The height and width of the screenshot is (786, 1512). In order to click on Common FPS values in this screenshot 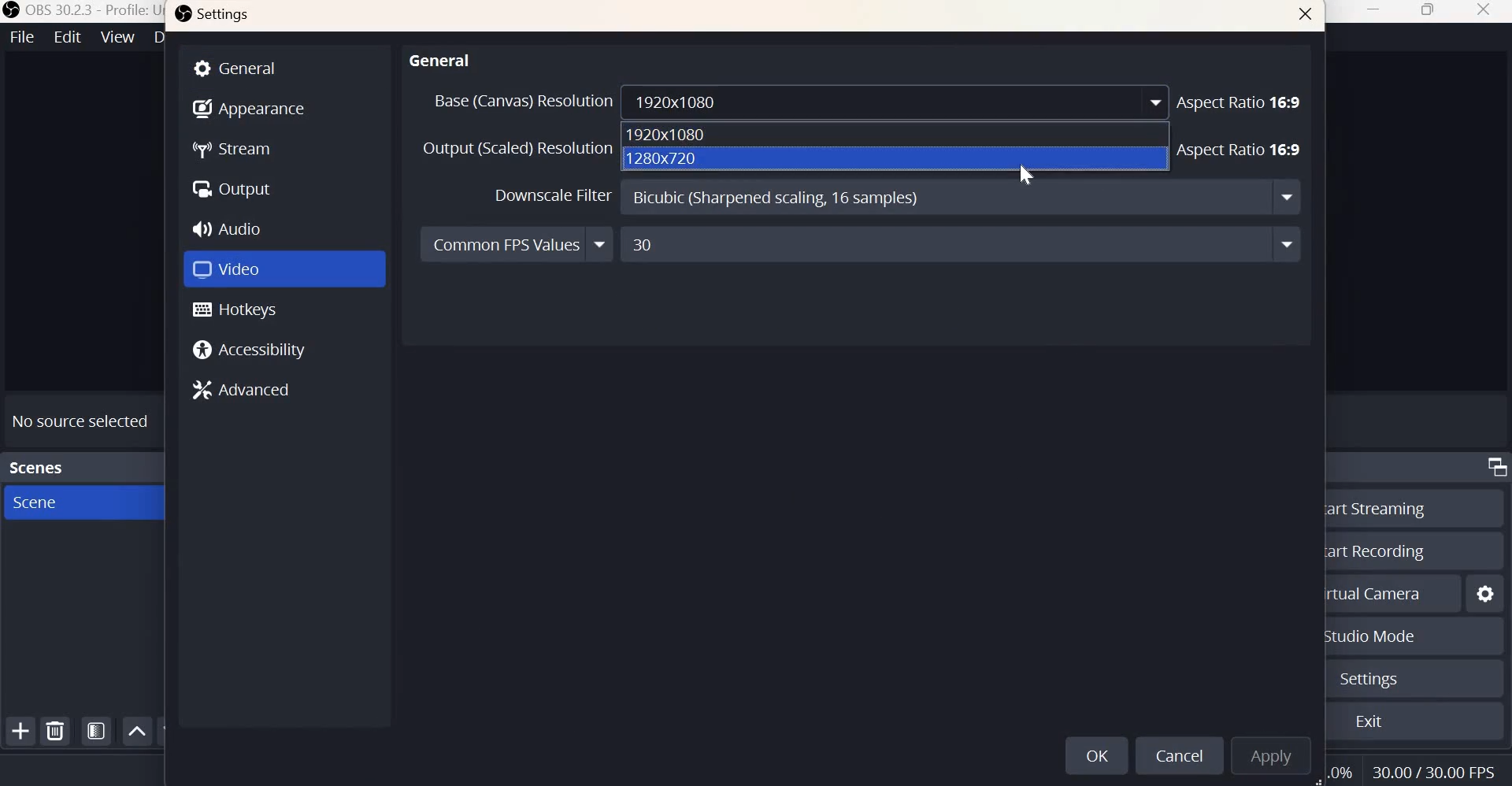, I will do `click(517, 245)`.